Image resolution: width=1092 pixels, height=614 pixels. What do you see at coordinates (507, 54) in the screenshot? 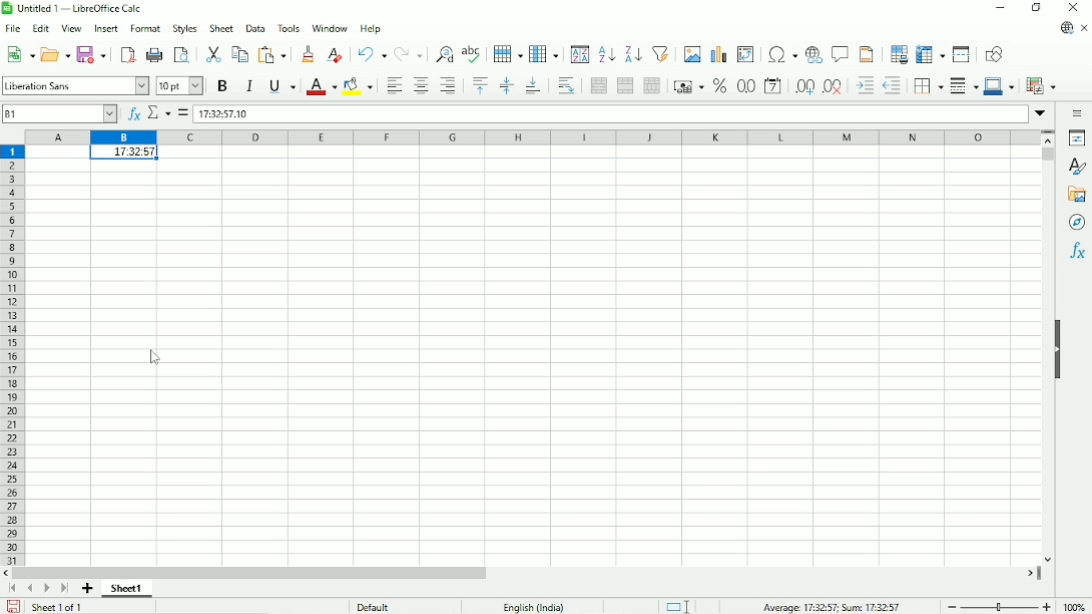
I see `Row` at bounding box center [507, 54].